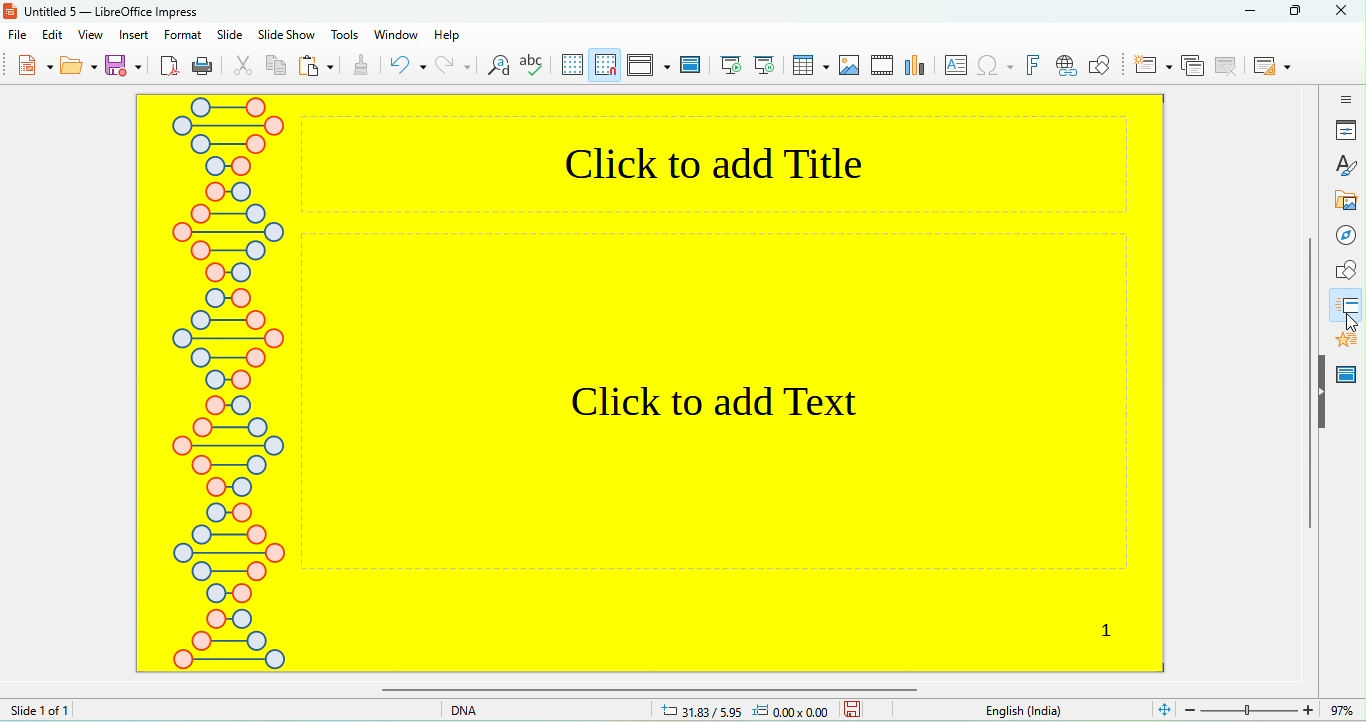 The width and height of the screenshot is (1366, 722). I want to click on minimize, so click(1245, 13).